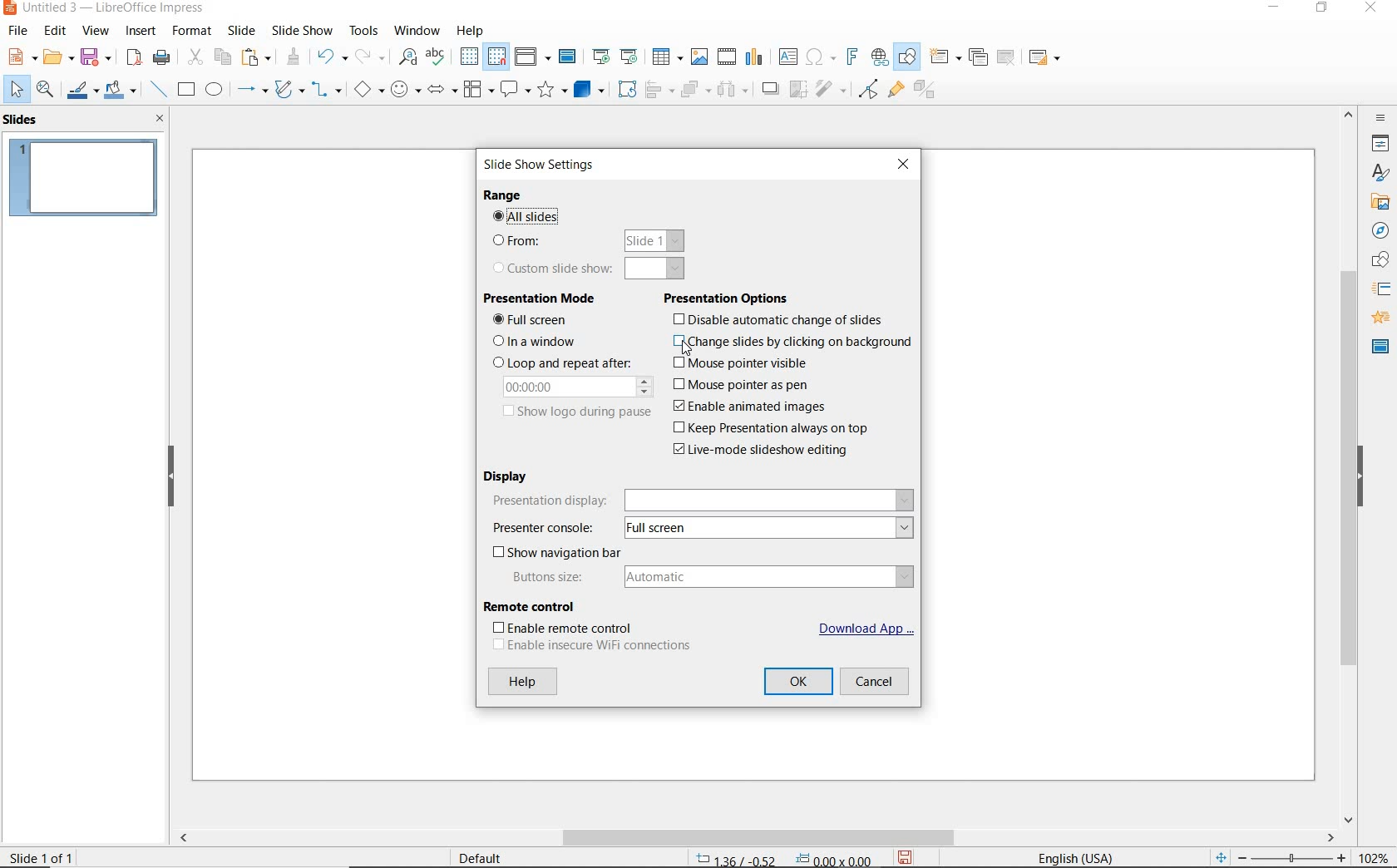  Describe the element at coordinates (906, 856) in the screenshot. I see `SAVE` at that location.